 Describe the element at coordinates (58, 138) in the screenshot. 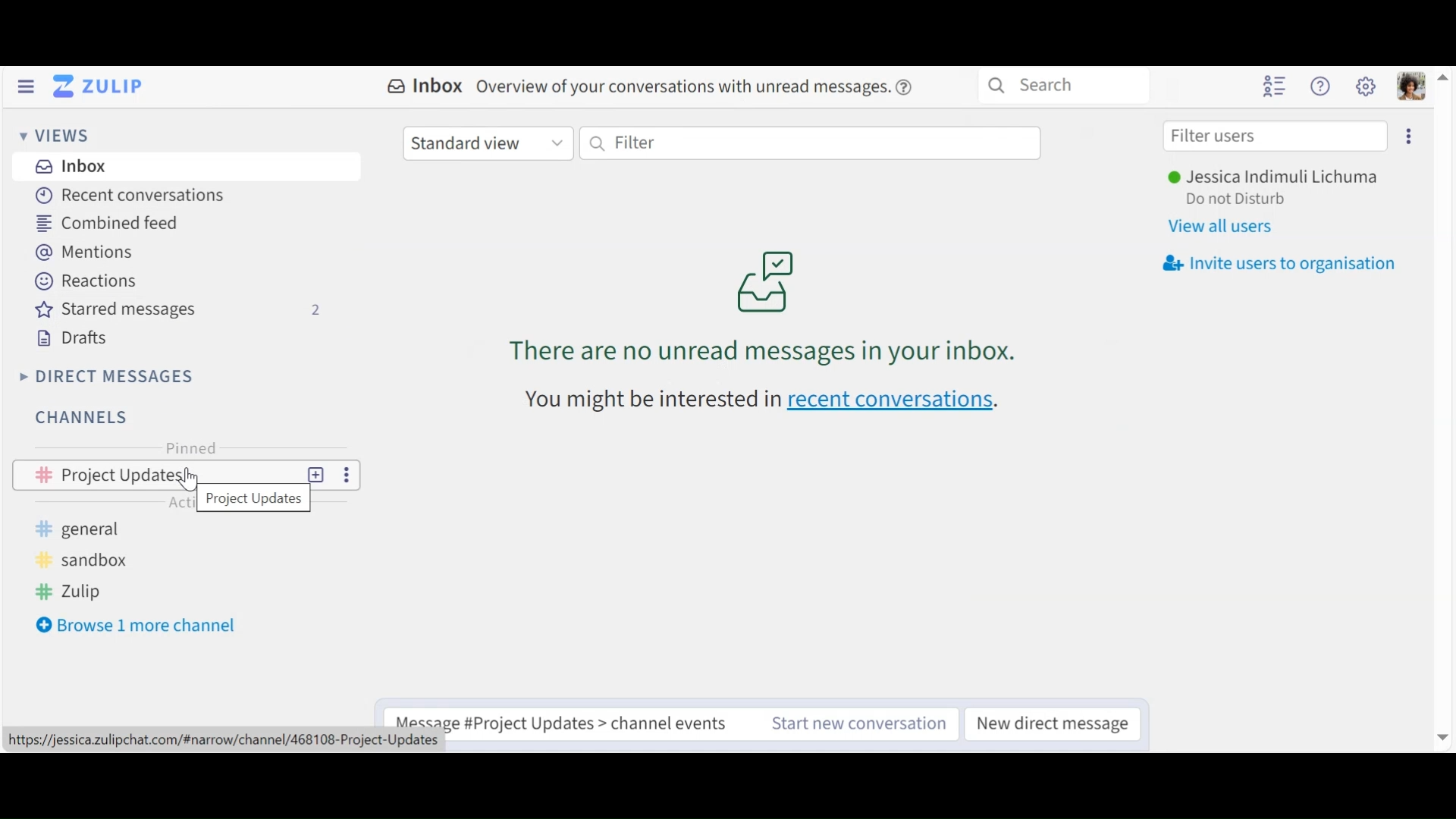

I see `Views` at that location.